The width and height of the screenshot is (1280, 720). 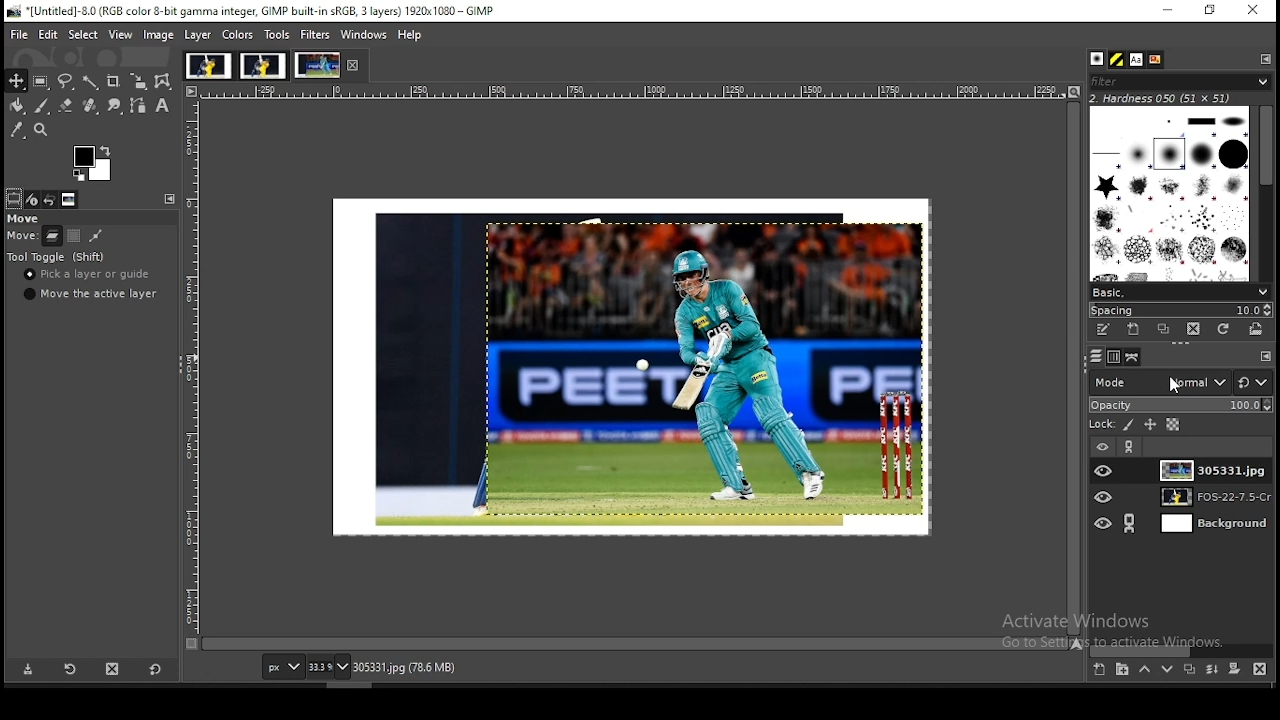 What do you see at coordinates (1266, 192) in the screenshot?
I see `scroll bar` at bounding box center [1266, 192].